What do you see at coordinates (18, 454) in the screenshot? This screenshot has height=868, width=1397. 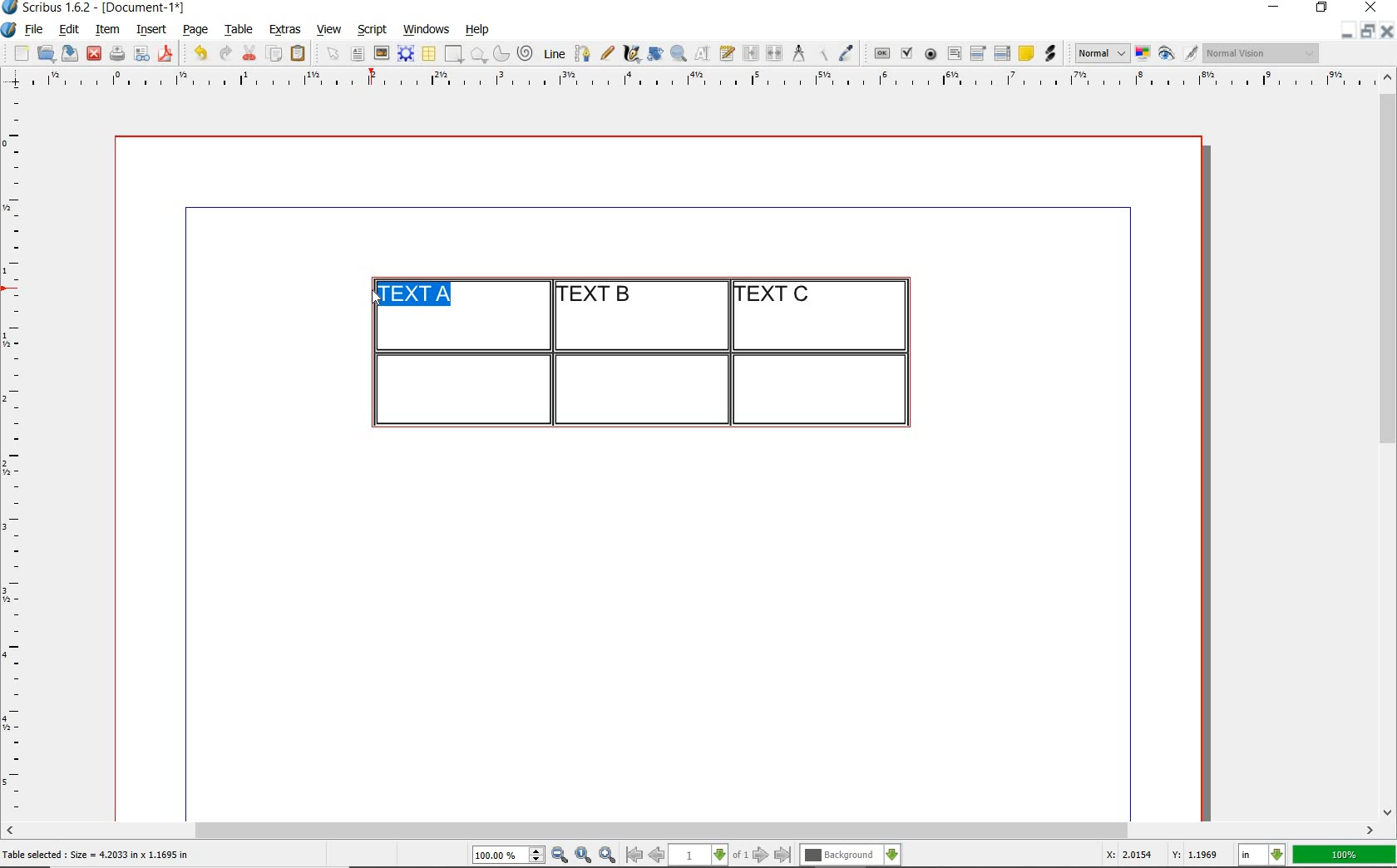 I see `ruler` at bounding box center [18, 454].